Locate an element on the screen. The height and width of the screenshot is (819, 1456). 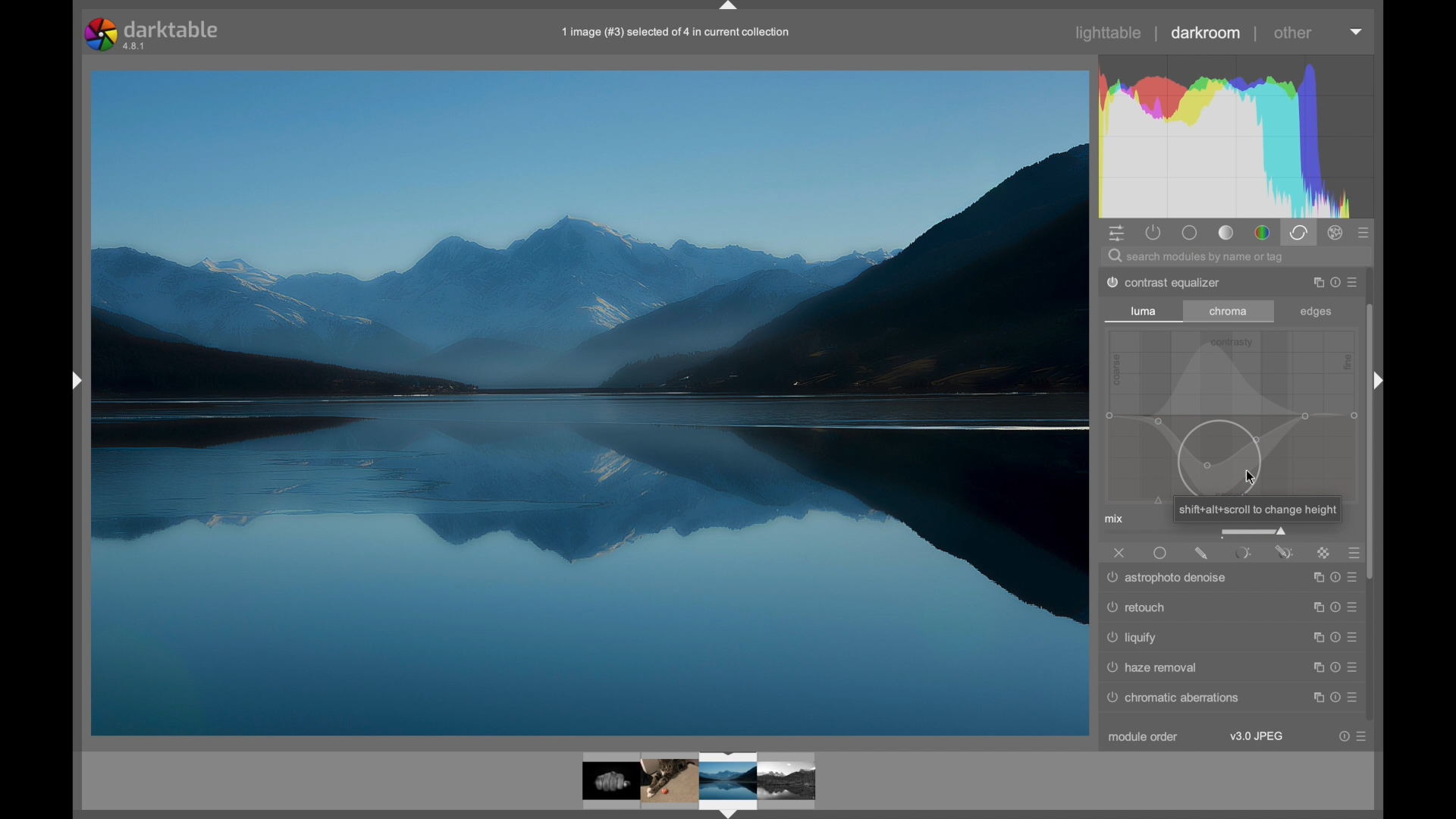
more options is located at coordinates (1352, 736).